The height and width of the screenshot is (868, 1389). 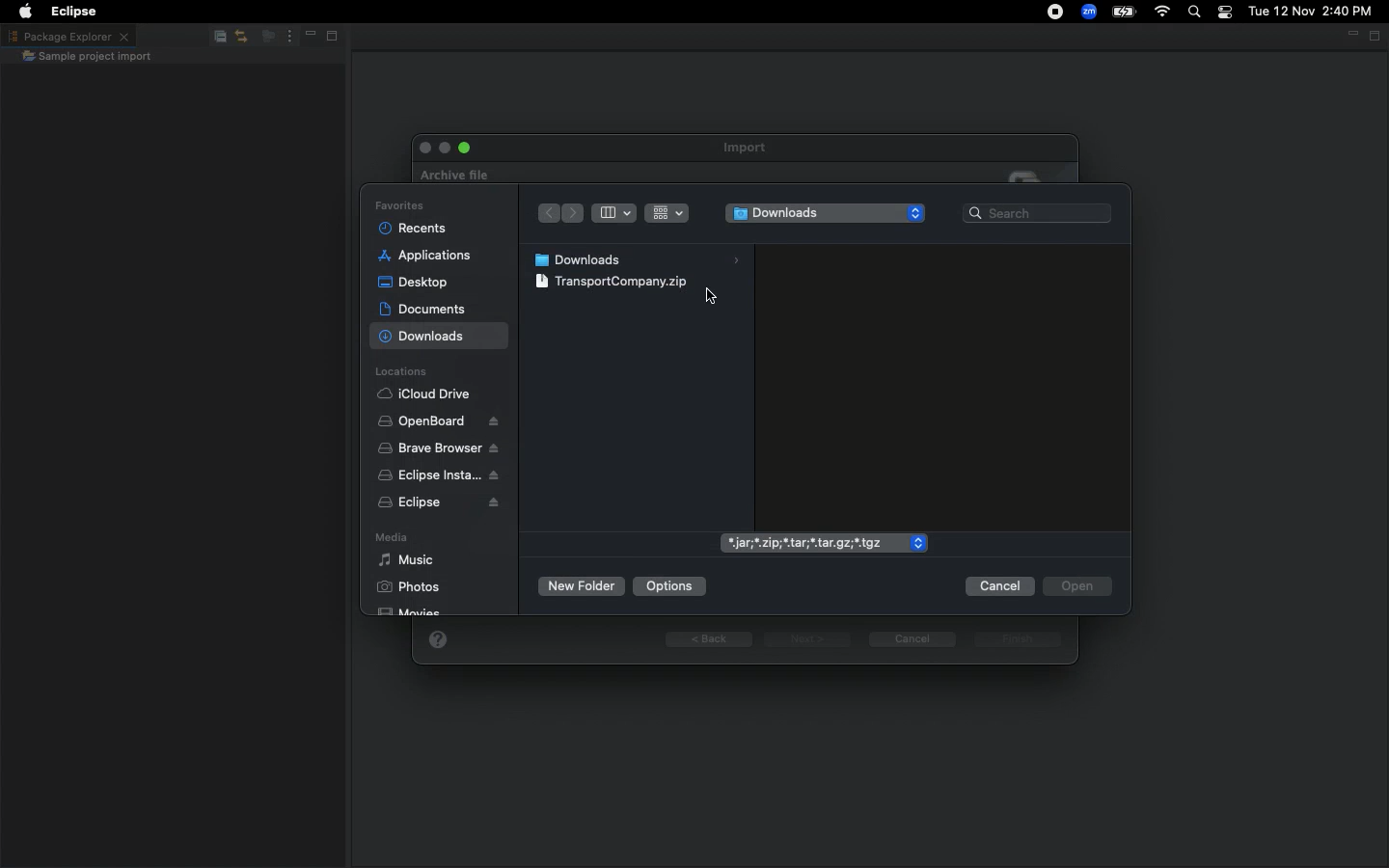 I want to click on Eclipse, so click(x=76, y=12).